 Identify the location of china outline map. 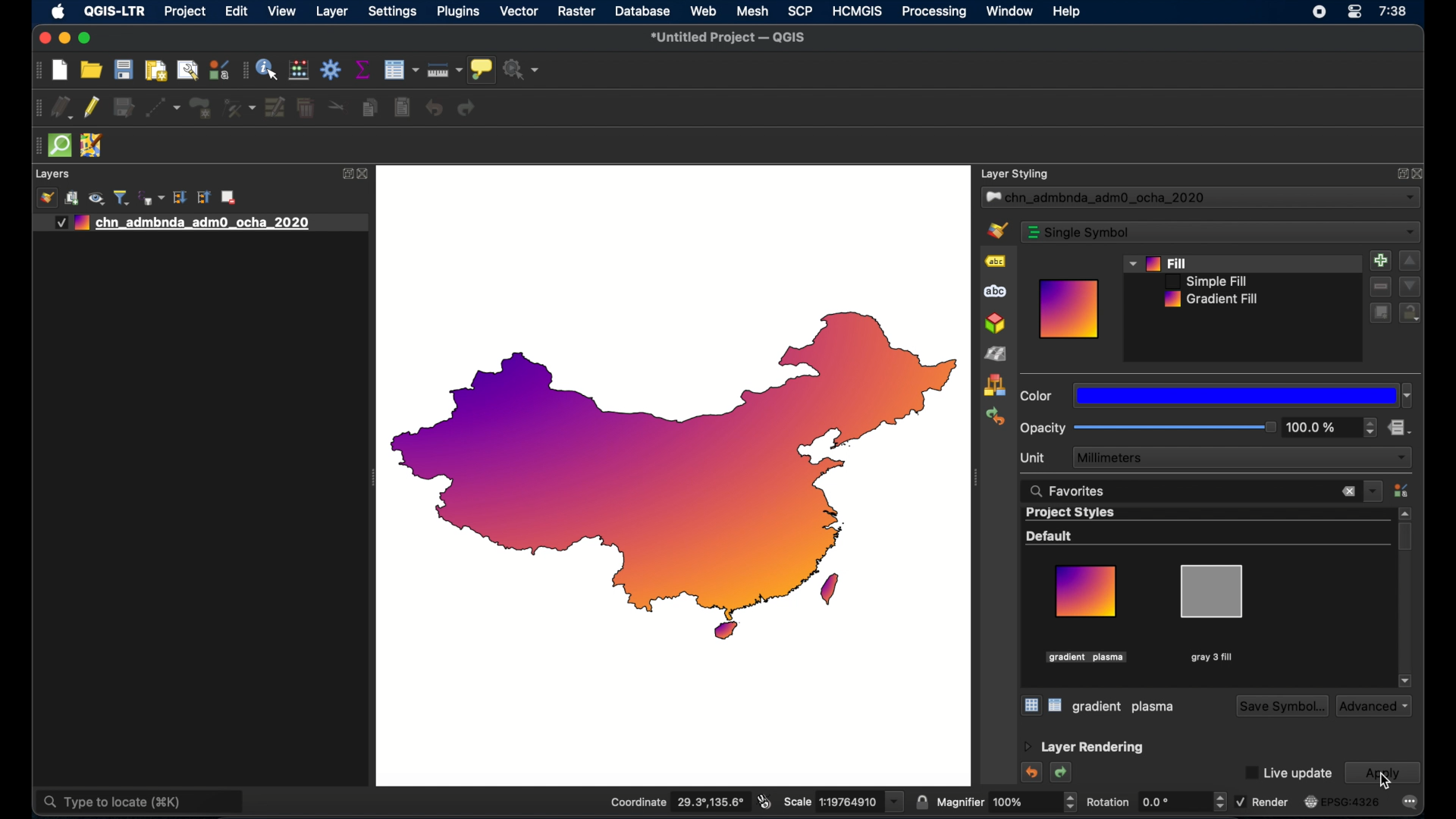
(671, 478).